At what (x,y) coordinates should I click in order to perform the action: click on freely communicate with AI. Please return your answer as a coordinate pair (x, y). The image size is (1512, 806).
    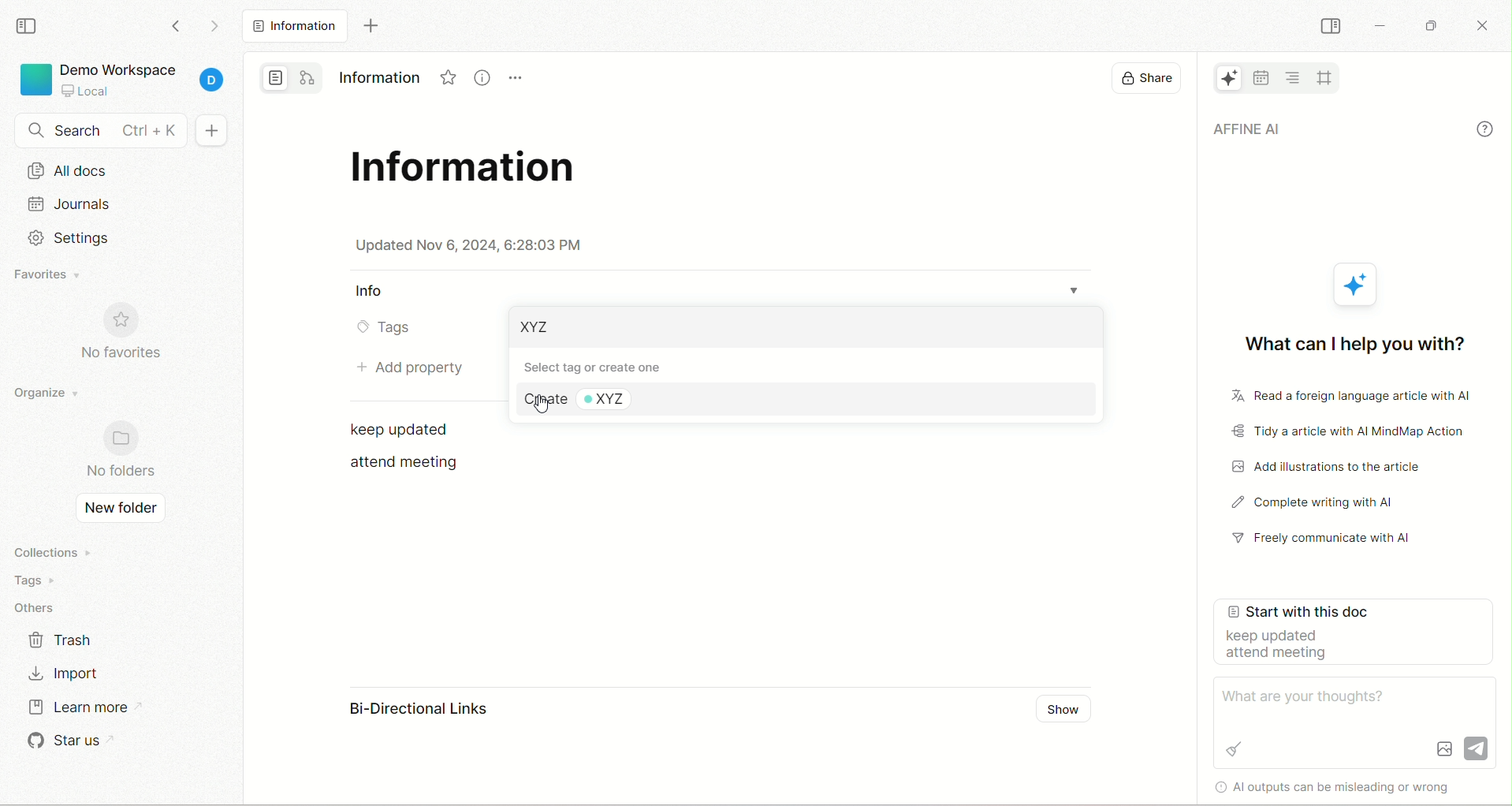
    Looking at the image, I should click on (1330, 542).